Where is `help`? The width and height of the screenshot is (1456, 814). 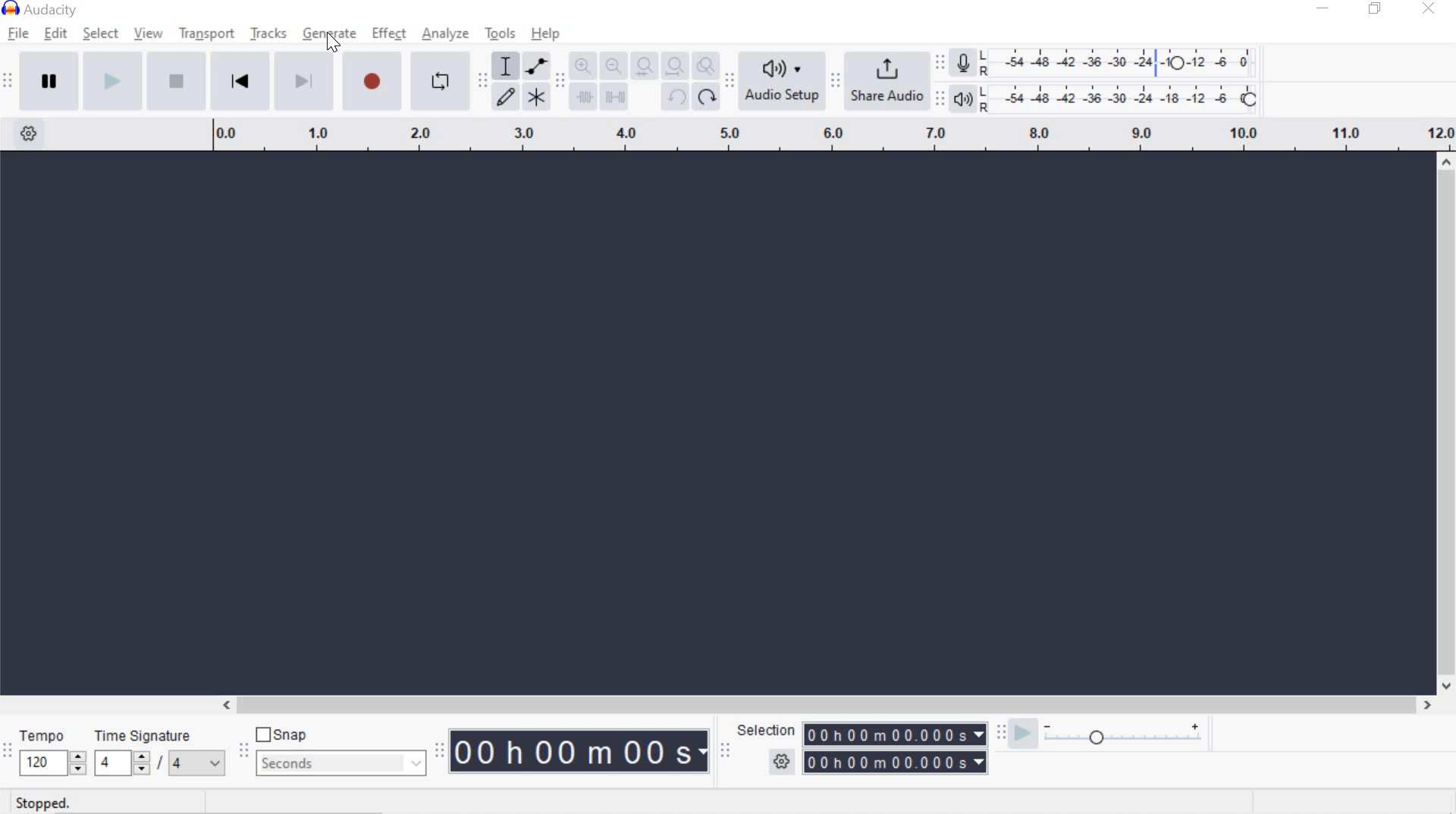 help is located at coordinates (546, 33).